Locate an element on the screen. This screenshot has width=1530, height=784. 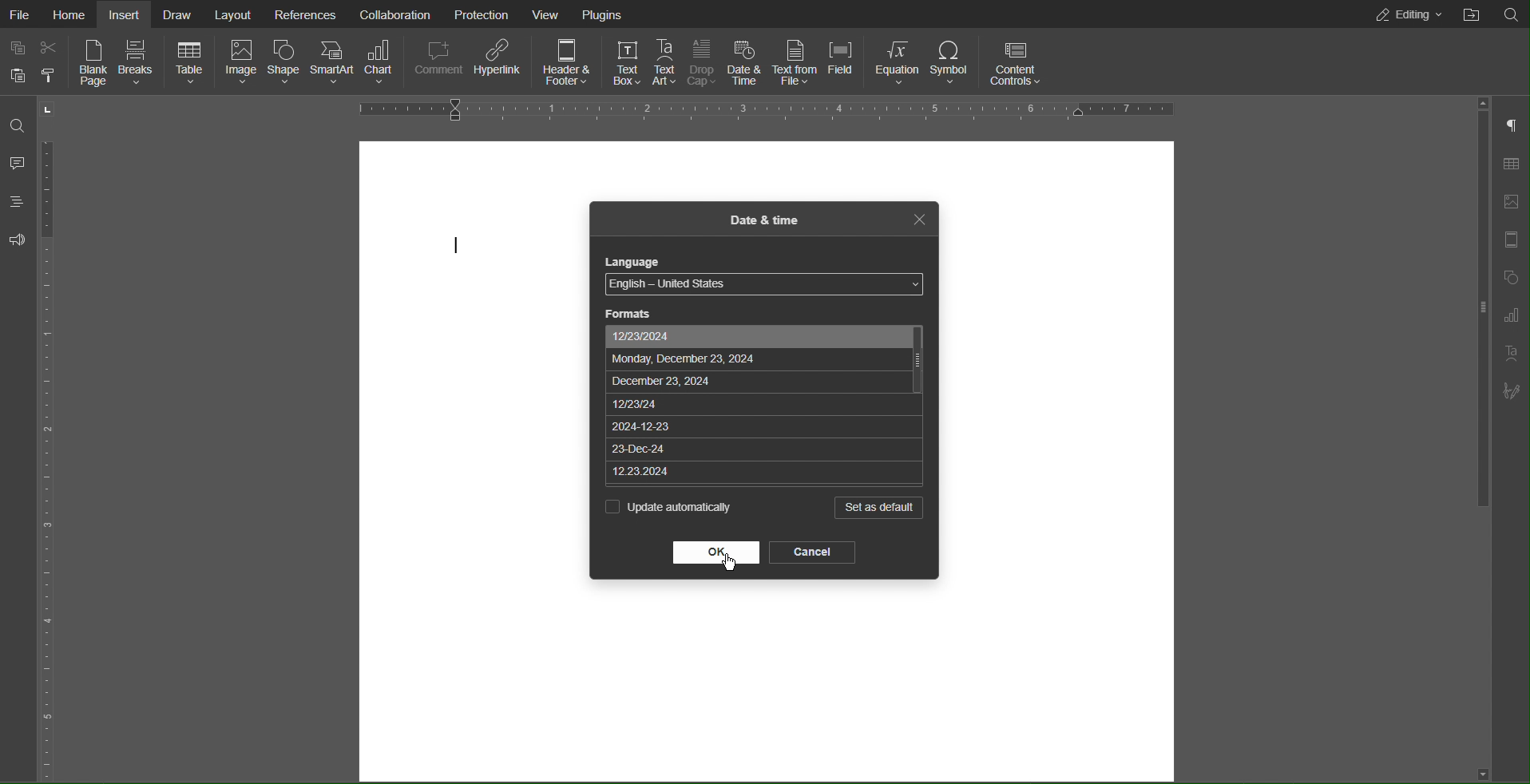
12/23/2024 is located at coordinates (757, 337).